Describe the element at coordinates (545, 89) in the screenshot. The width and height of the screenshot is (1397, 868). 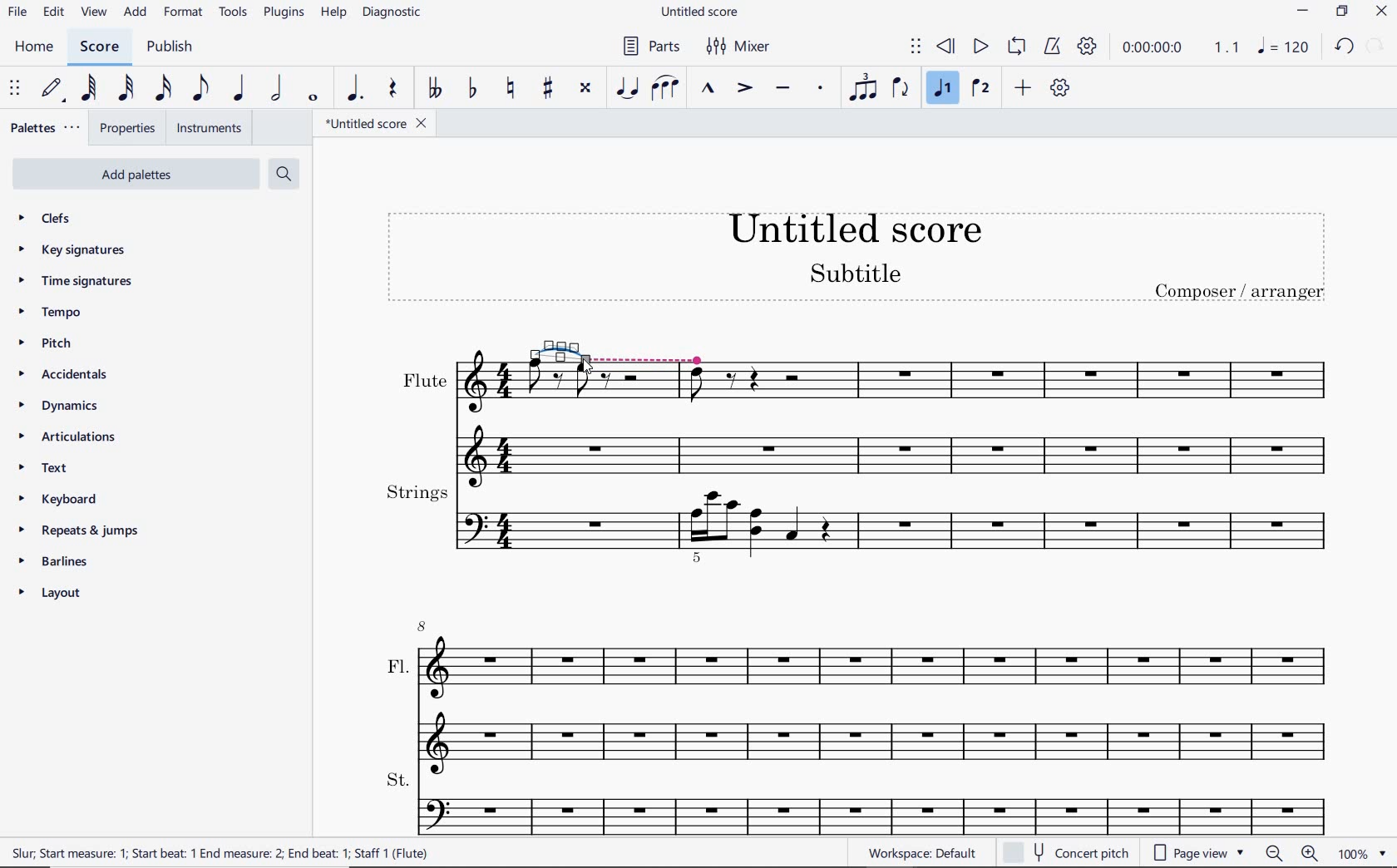
I see `TOGGLE SHARP` at that location.